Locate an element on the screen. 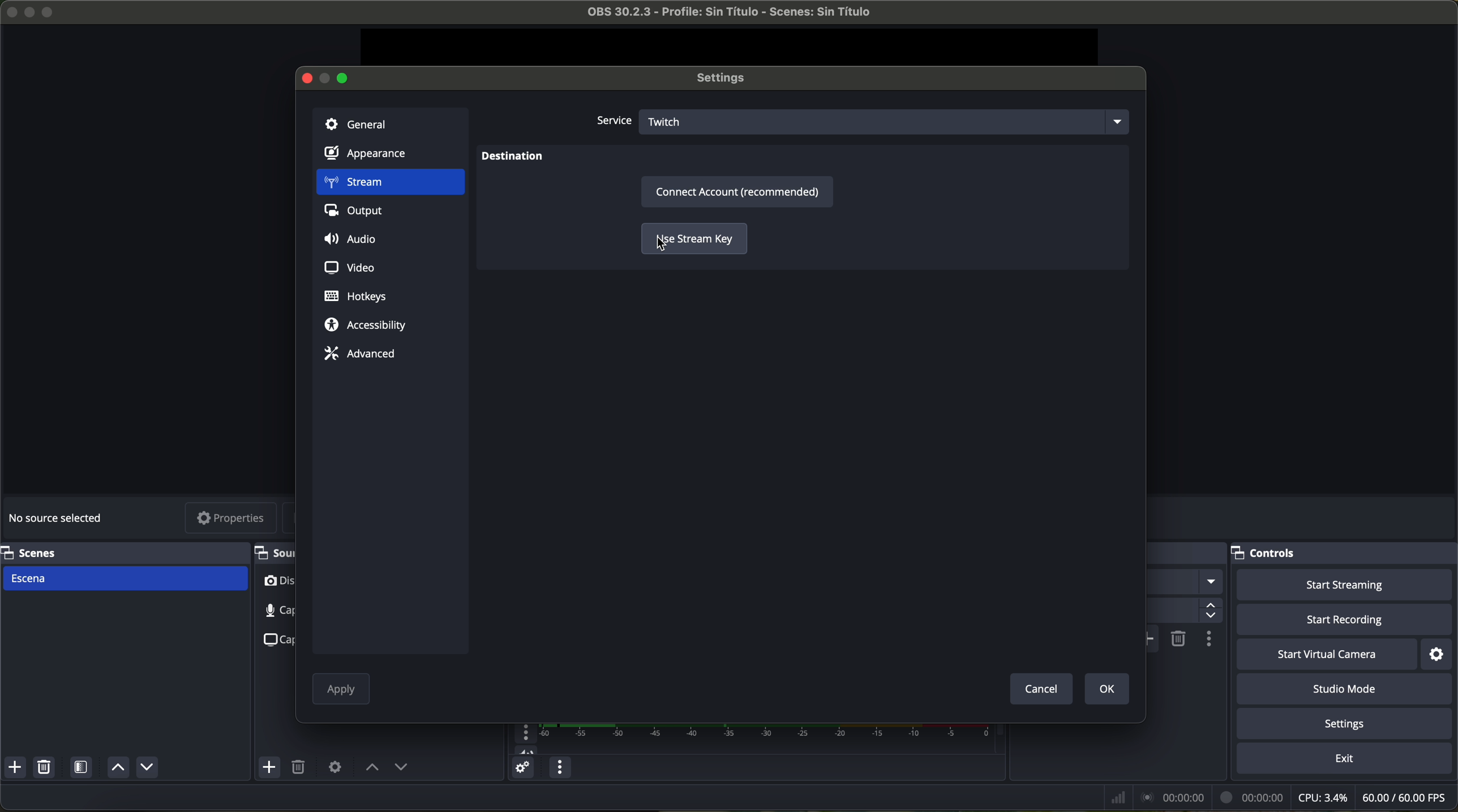  move source up is located at coordinates (372, 768).